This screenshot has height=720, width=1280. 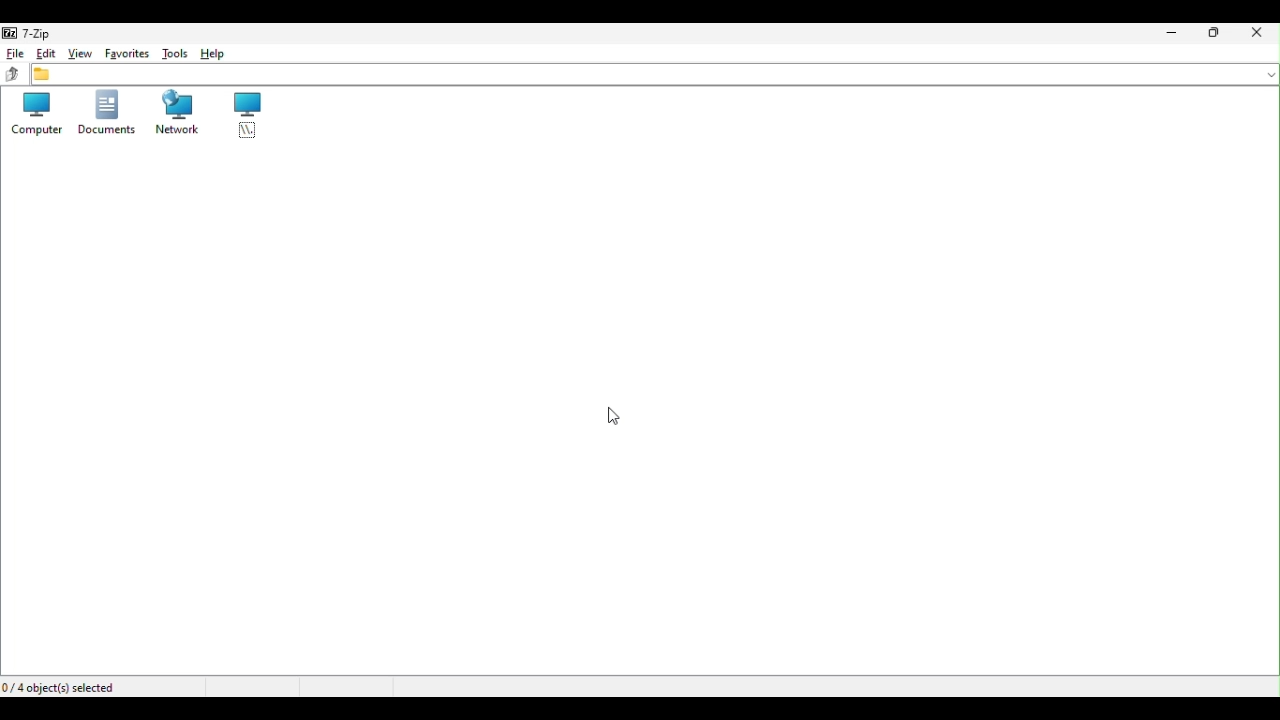 I want to click on Computers, so click(x=34, y=114).